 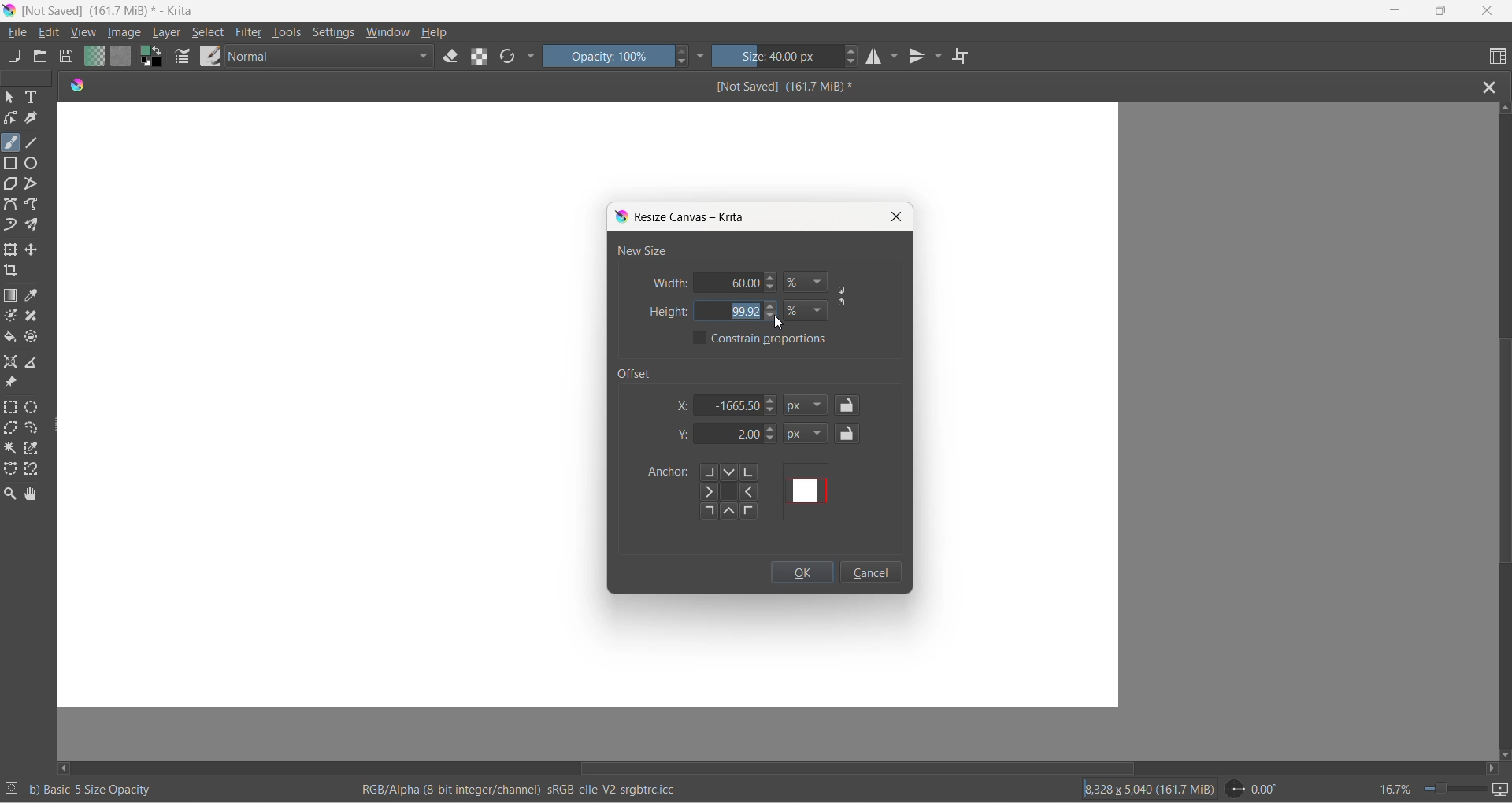 I want to click on move a layer, so click(x=34, y=250).